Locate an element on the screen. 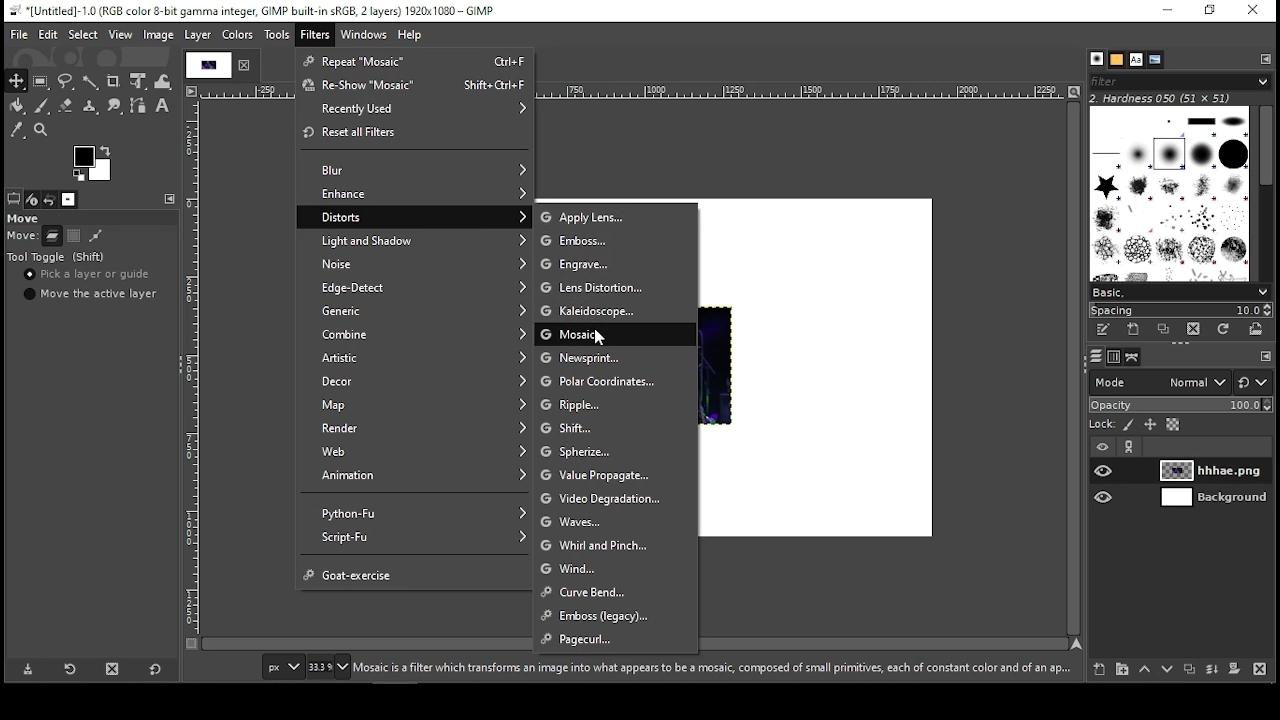 The height and width of the screenshot is (720, 1280). apply lens is located at coordinates (614, 216).